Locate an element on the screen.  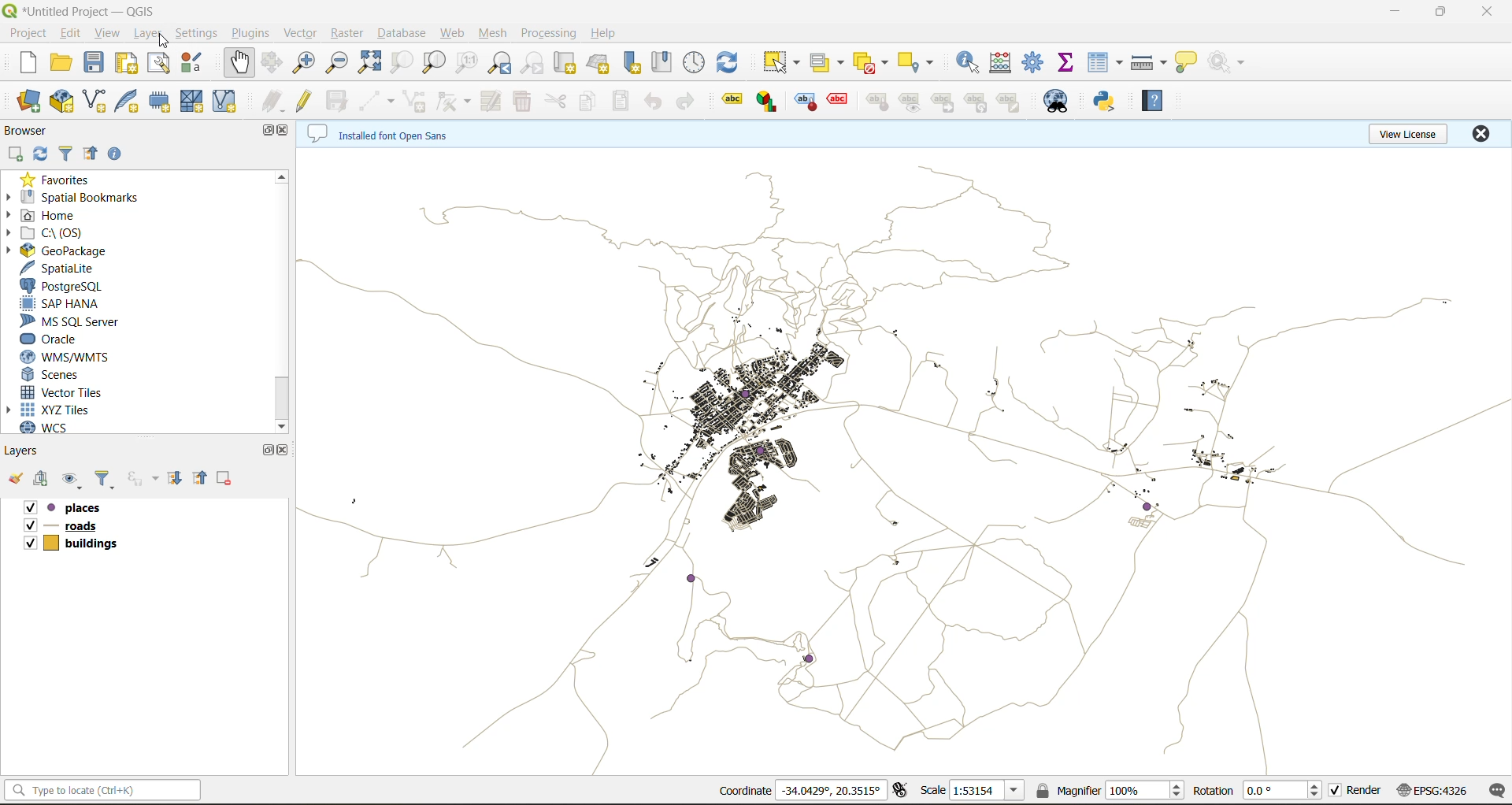
plugins is located at coordinates (254, 33).